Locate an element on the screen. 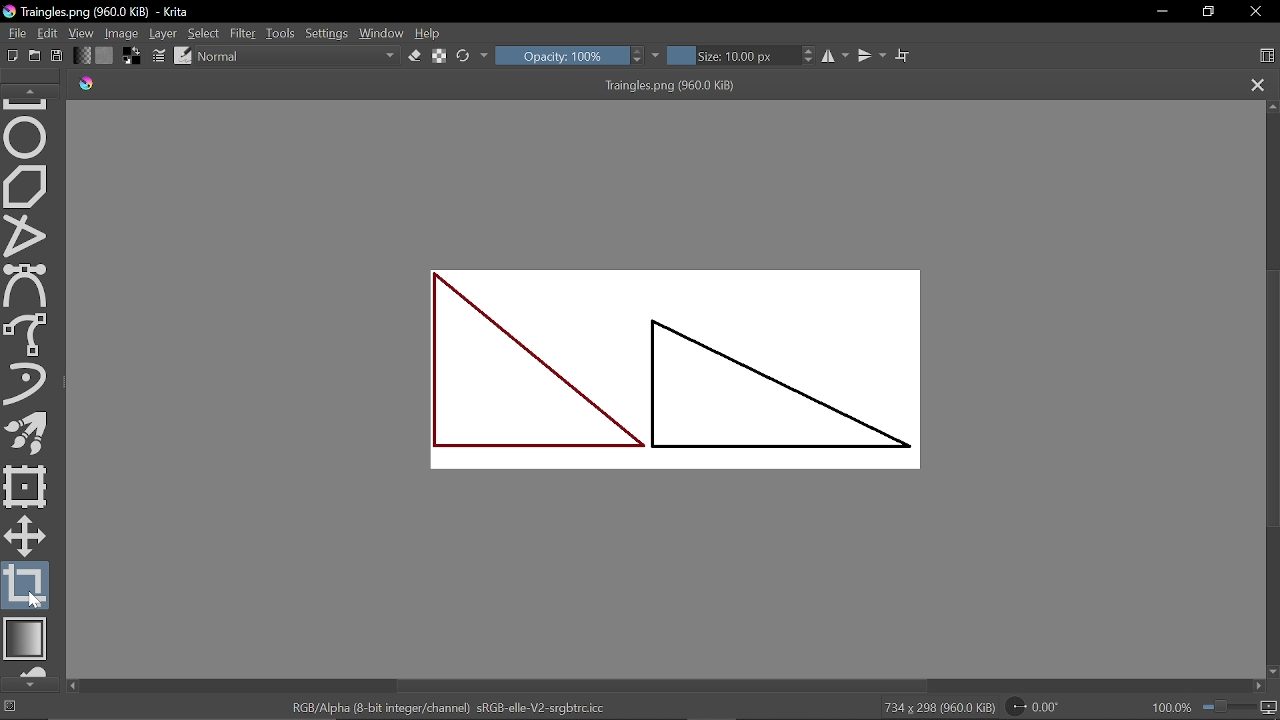  Move up is located at coordinates (1272, 106).